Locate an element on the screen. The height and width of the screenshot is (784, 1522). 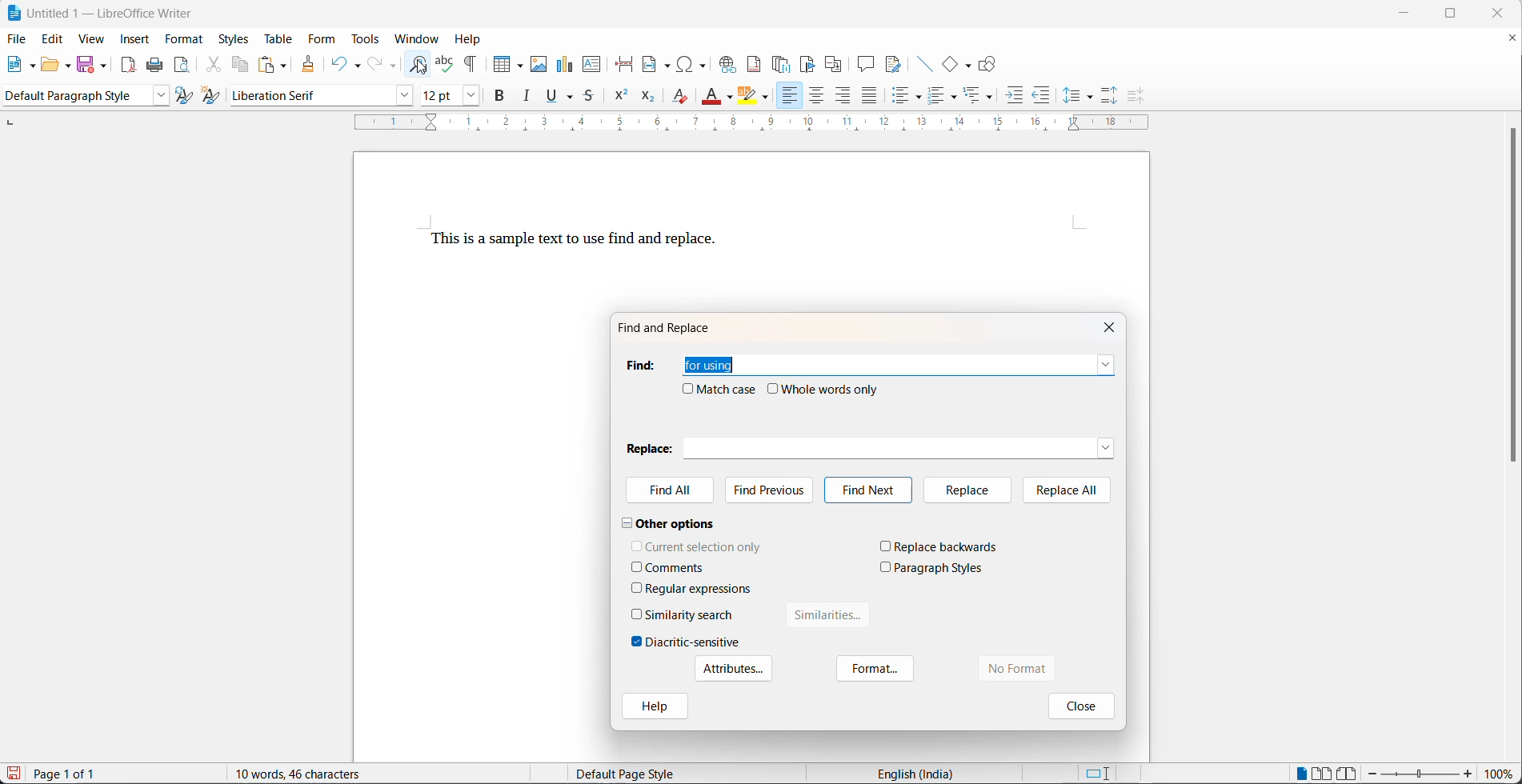
replace dropdown button is located at coordinates (1107, 446).